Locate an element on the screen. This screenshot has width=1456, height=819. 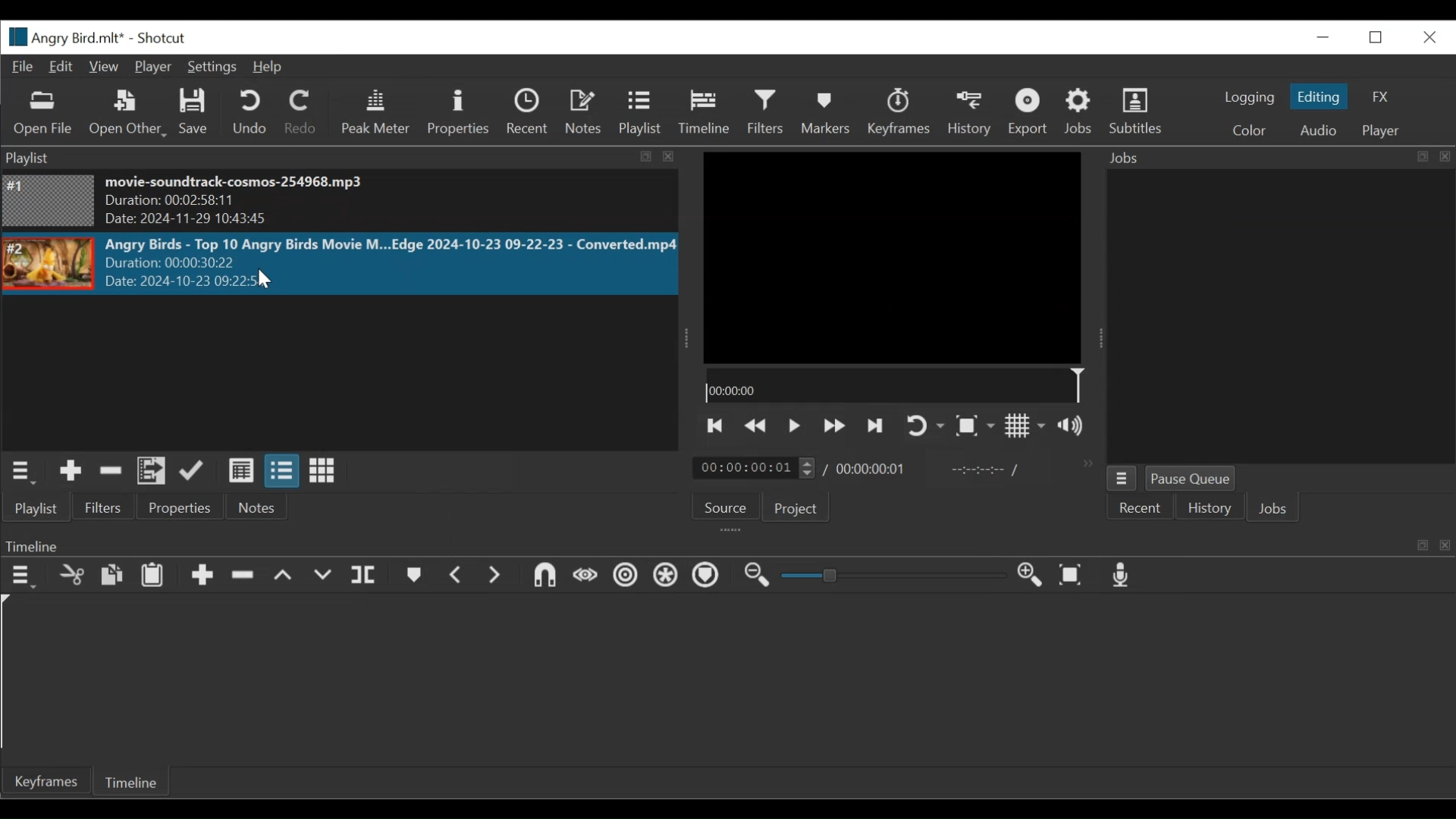
Toggle display grid on the player is located at coordinates (1026, 427).